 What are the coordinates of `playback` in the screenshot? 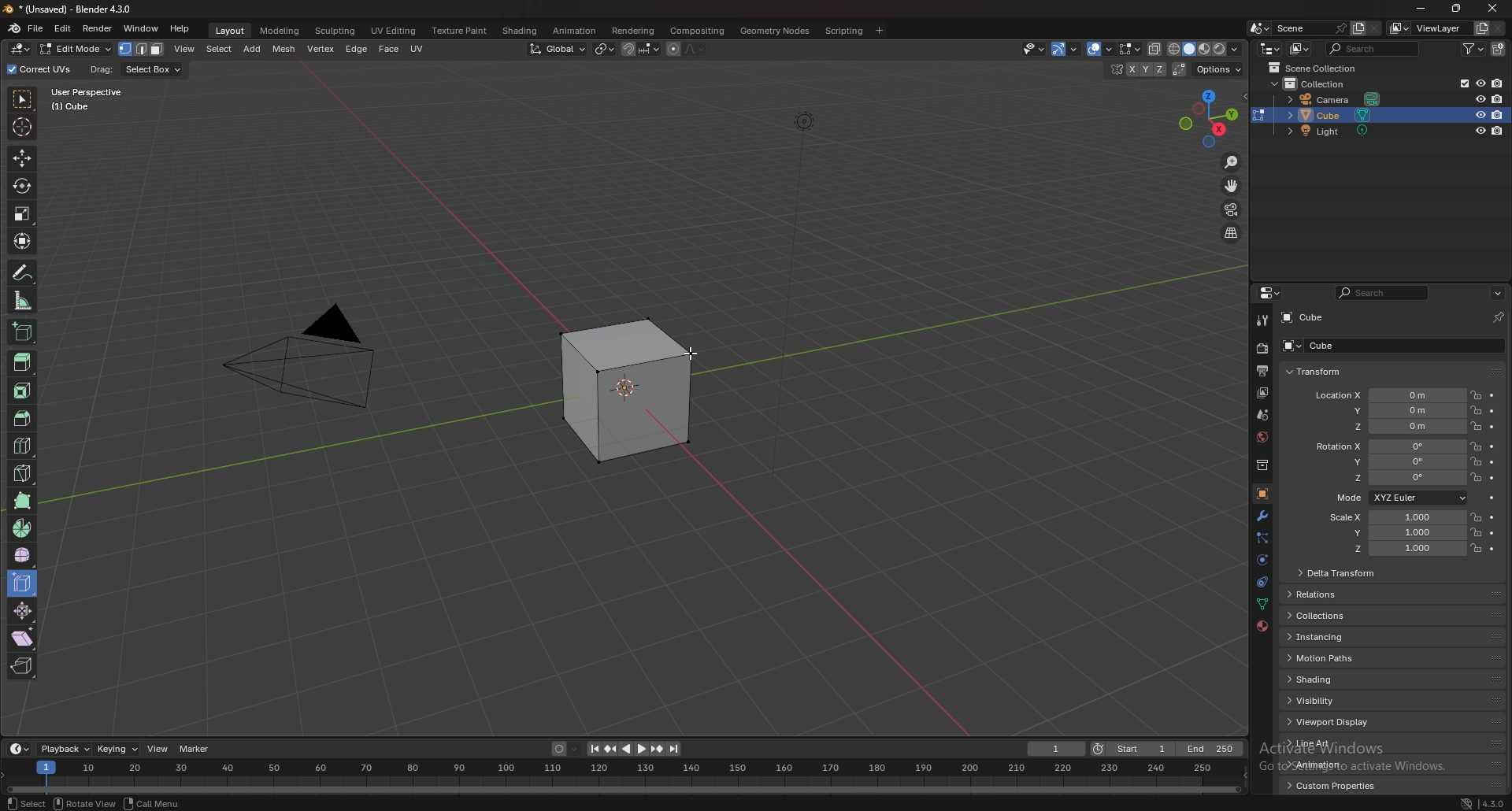 It's located at (66, 749).